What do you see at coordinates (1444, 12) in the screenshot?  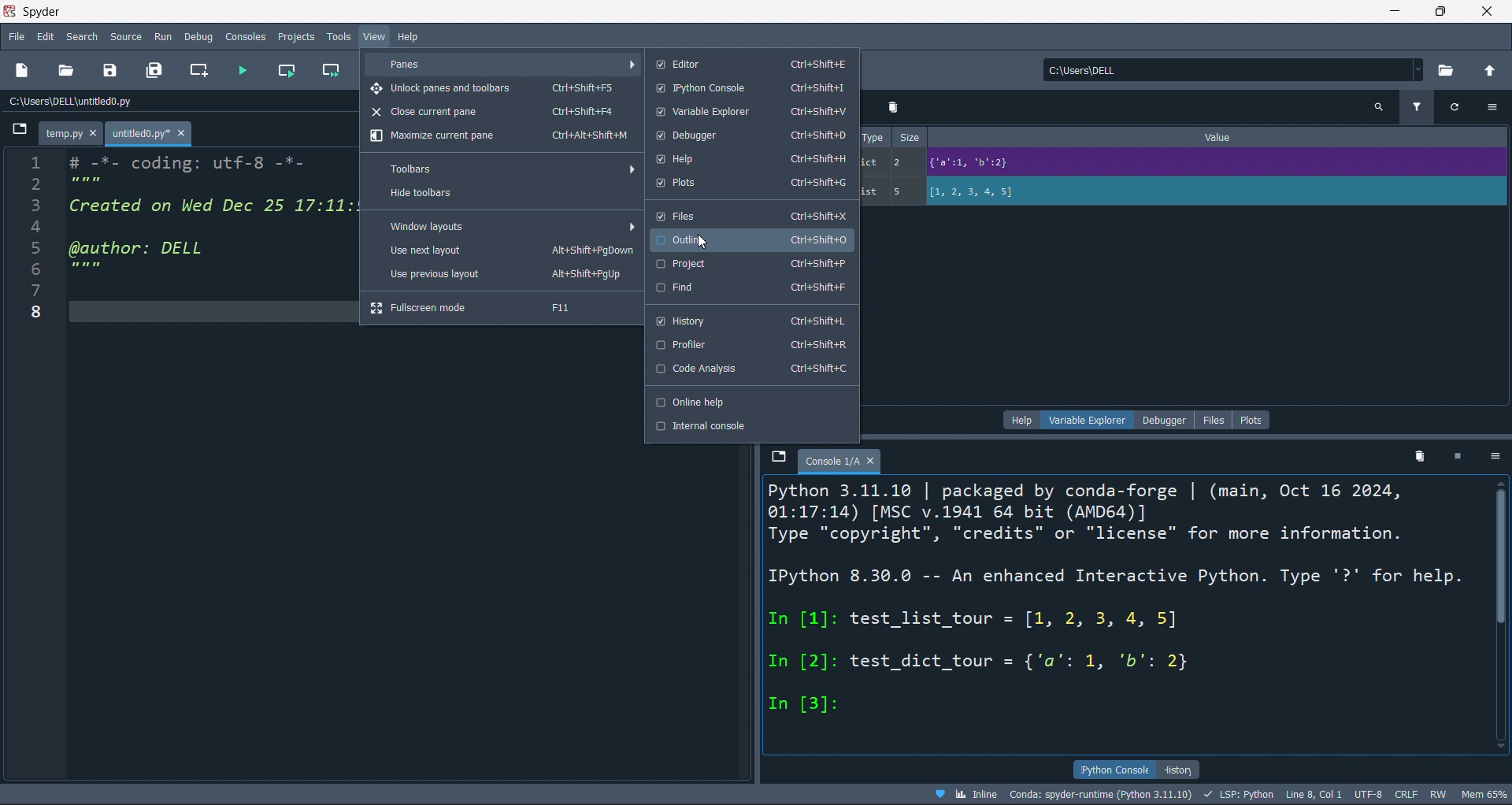 I see `maximiz` at bounding box center [1444, 12].